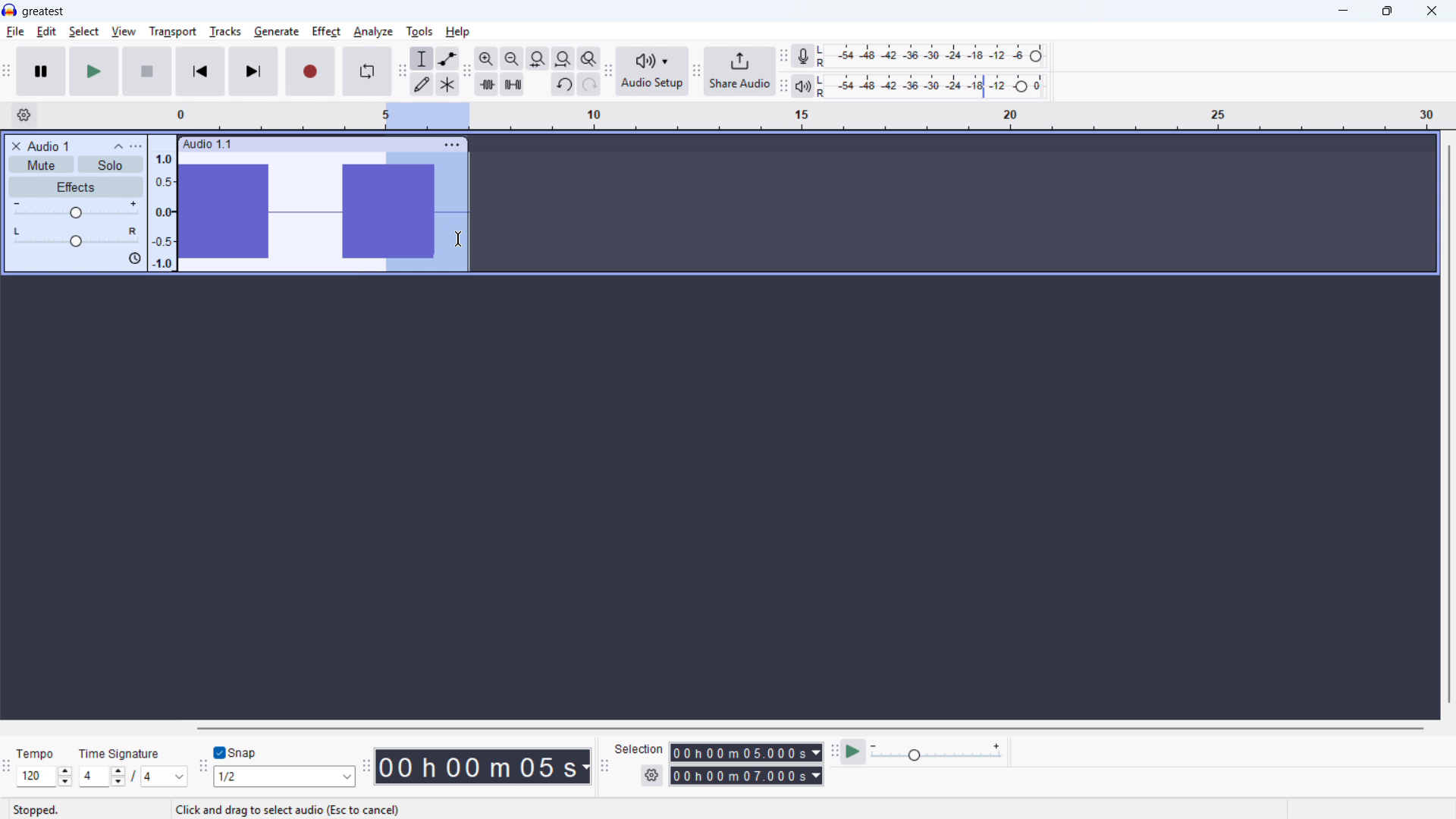 The width and height of the screenshot is (1456, 819). I want to click on Toggle zoom , so click(589, 58).